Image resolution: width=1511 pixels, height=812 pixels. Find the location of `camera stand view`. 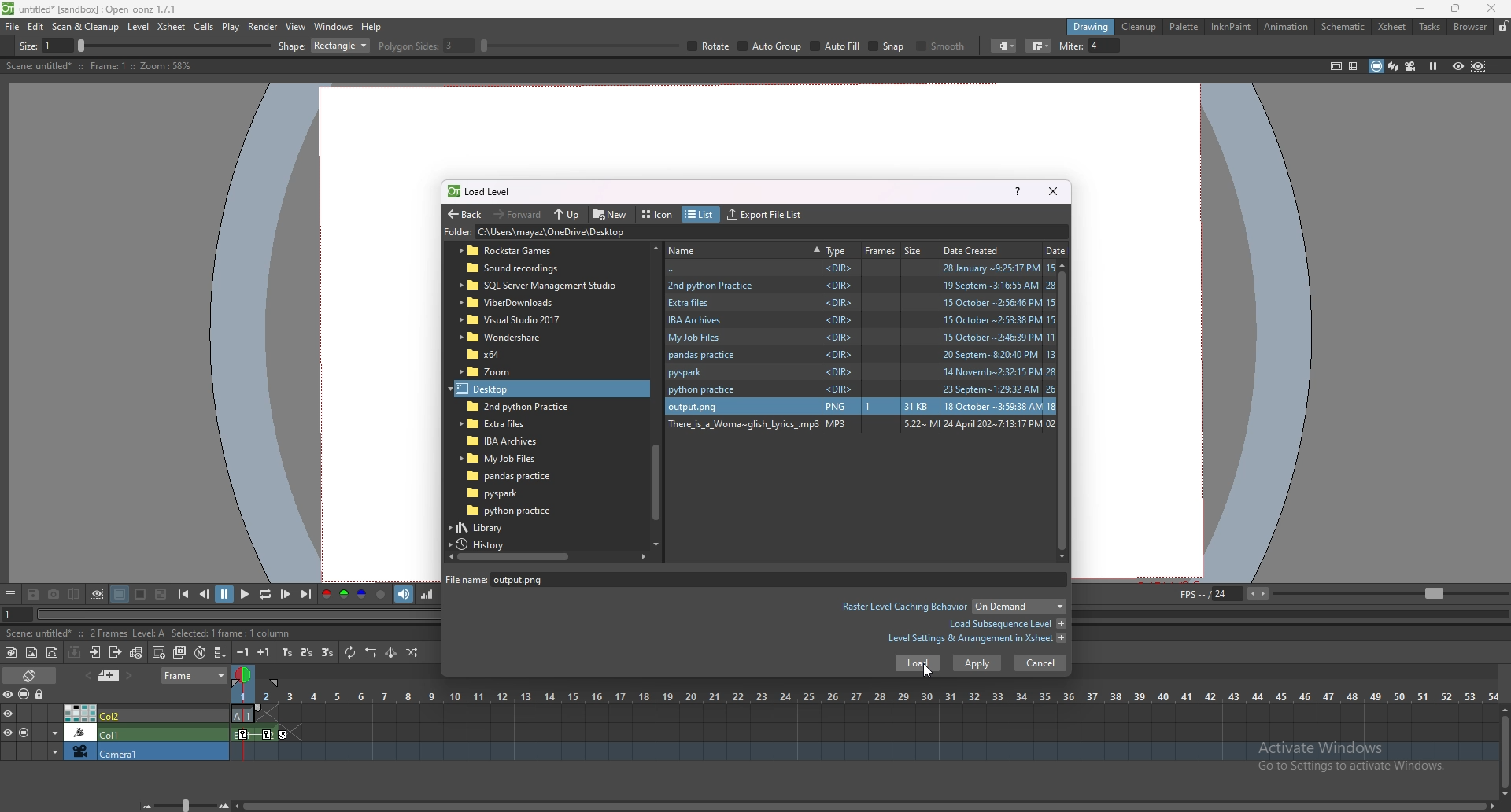

camera stand view is located at coordinates (1375, 66).